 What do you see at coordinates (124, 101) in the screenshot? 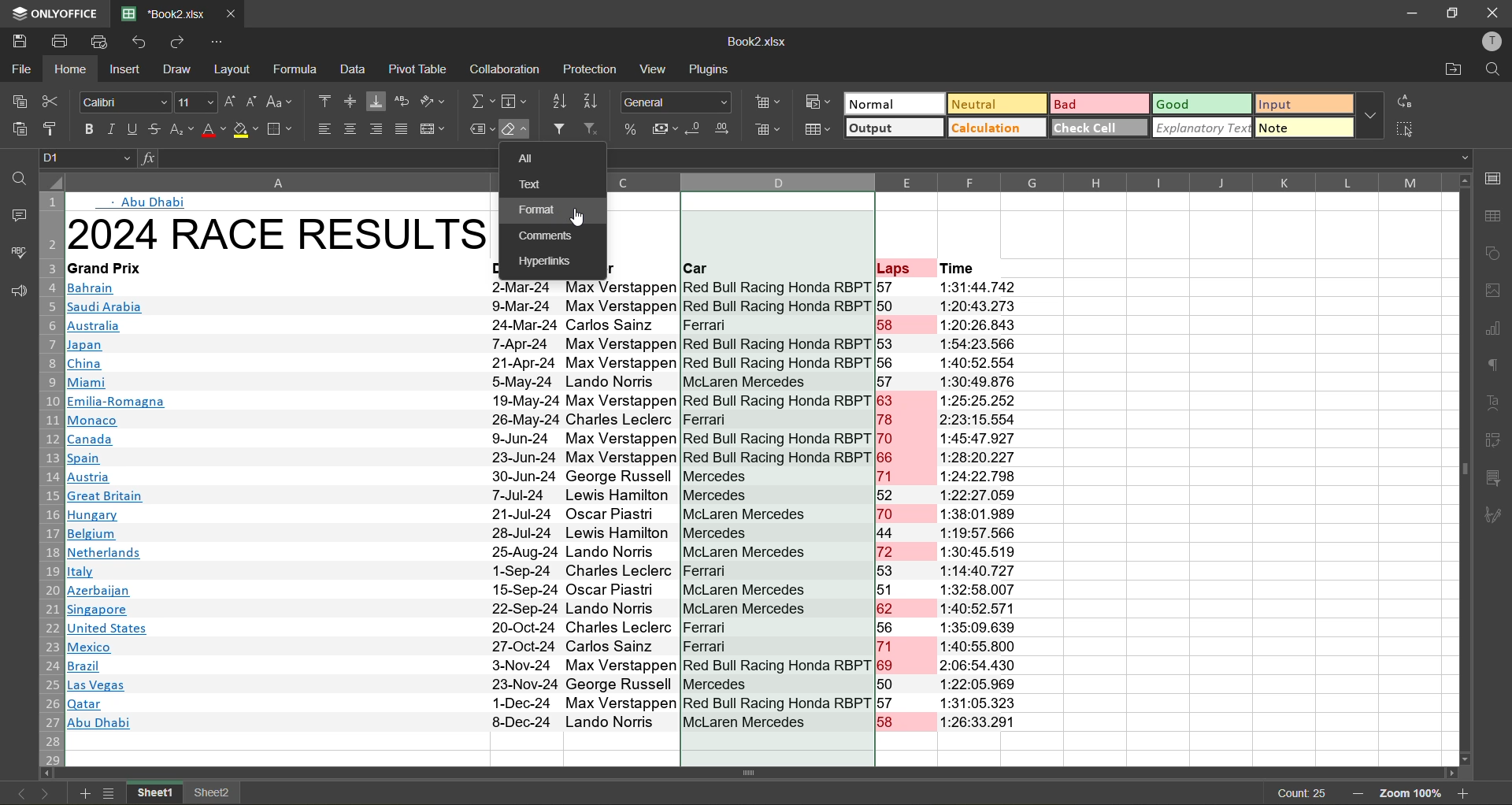
I see `Calibri` at bounding box center [124, 101].